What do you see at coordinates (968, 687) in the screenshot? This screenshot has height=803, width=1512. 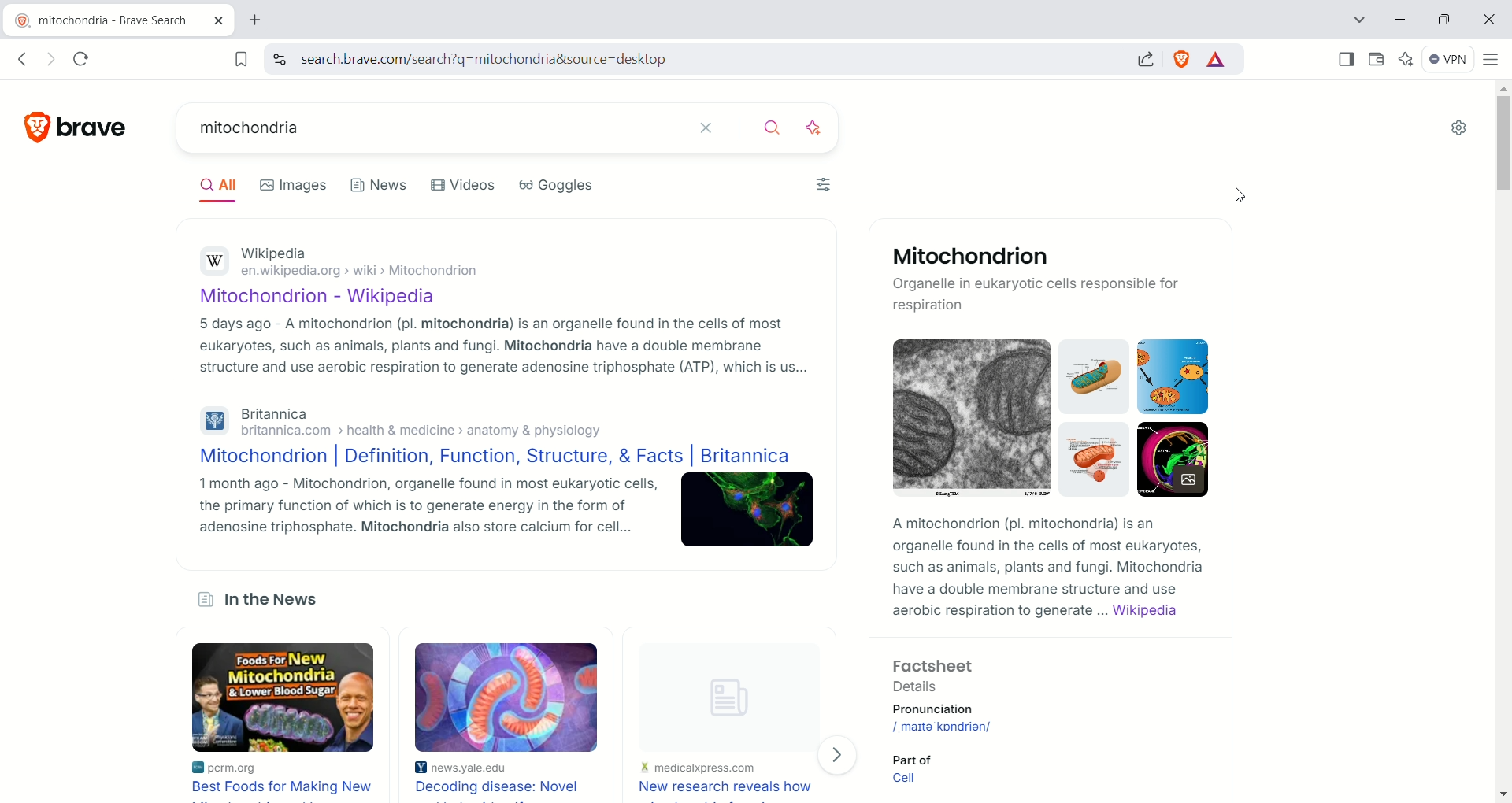 I see `Factsheet Details Pronunciation` at bounding box center [968, 687].